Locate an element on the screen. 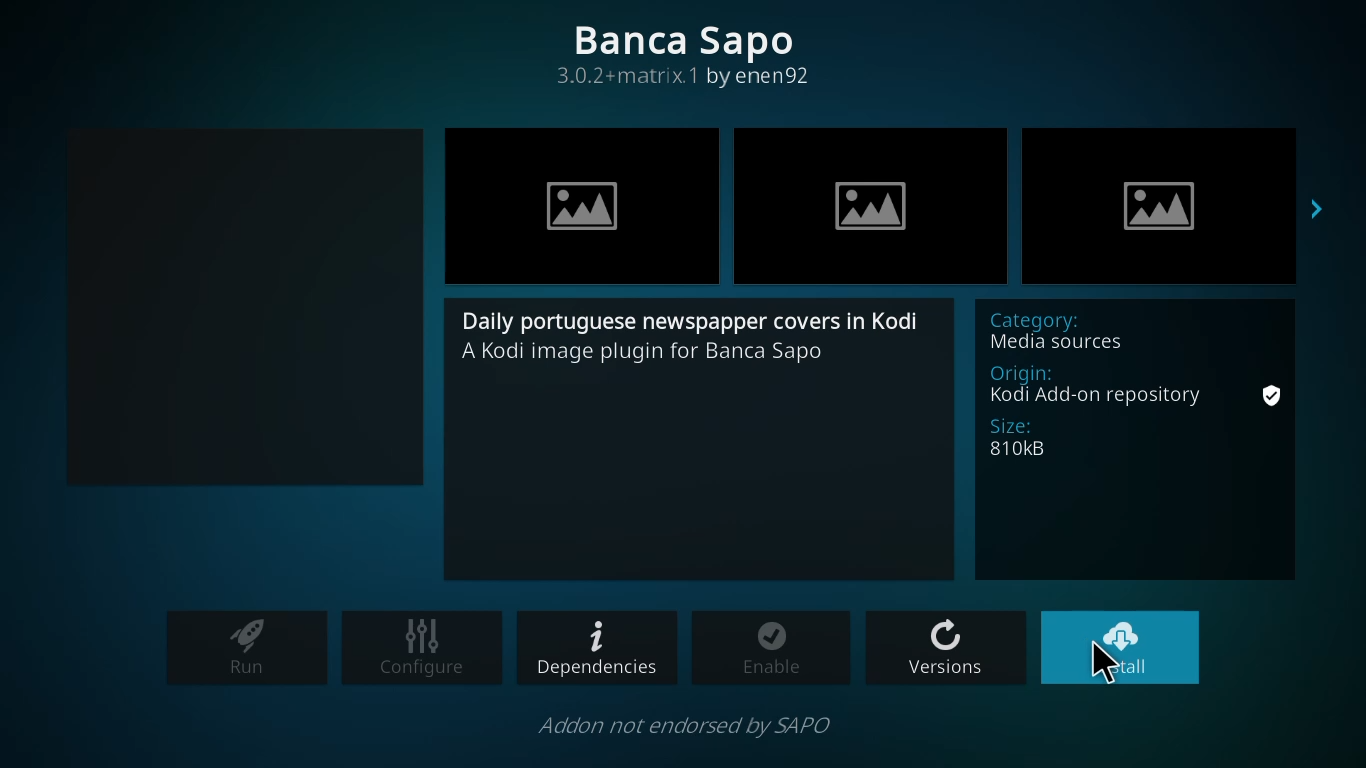  dependencies is located at coordinates (595, 650).